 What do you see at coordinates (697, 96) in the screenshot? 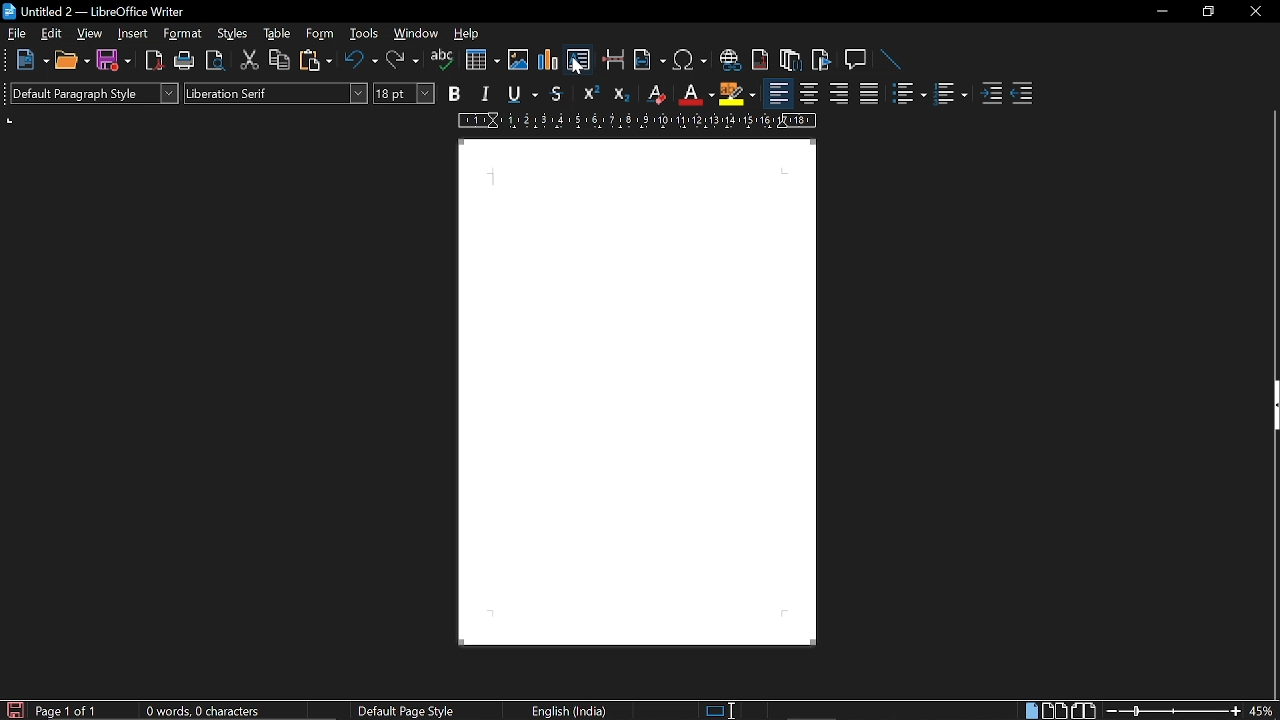
I see `font color` at bounding box center [697, 96].